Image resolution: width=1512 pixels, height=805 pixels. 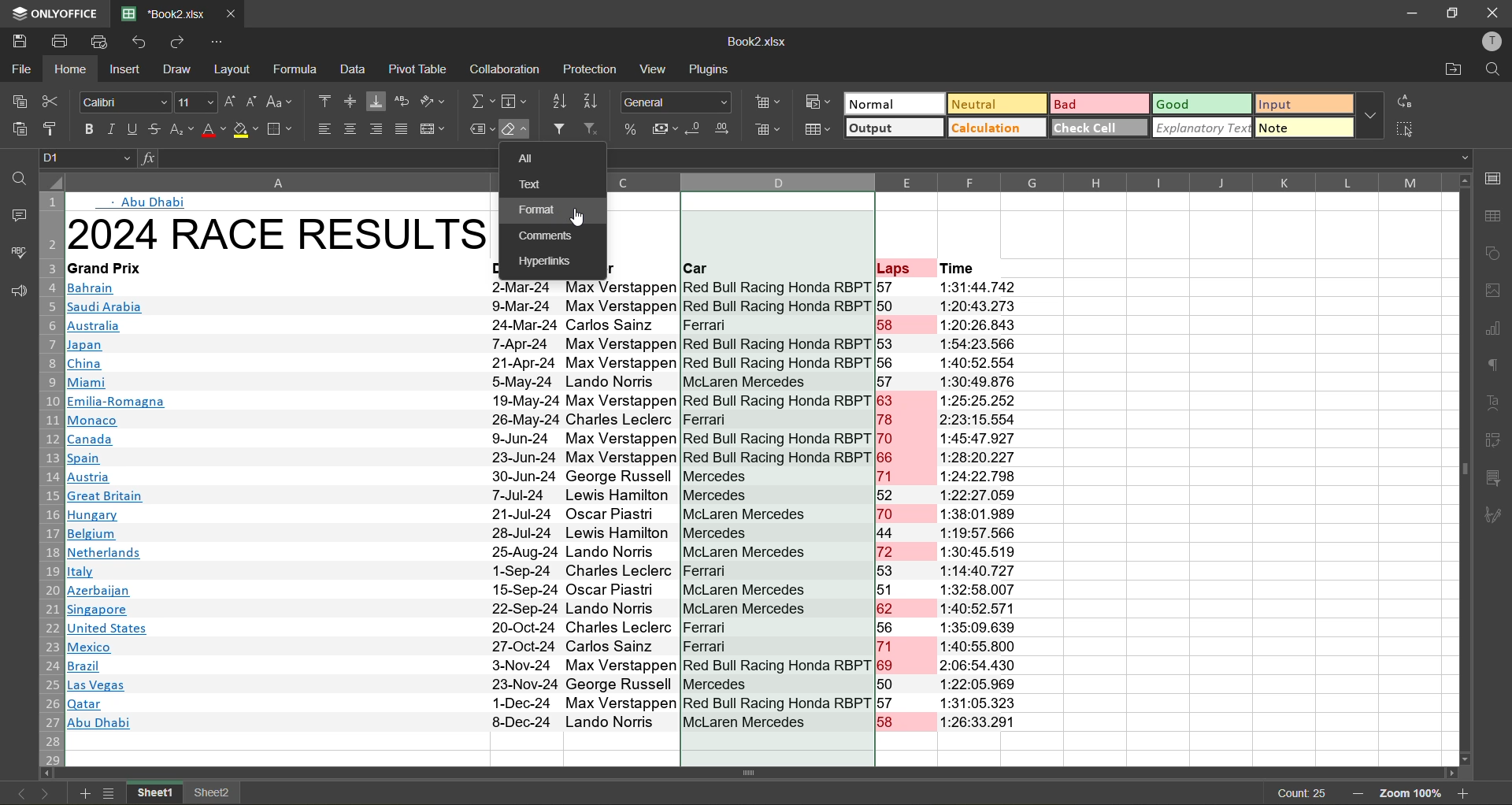 I want to click on orientation, so click(x=433, y=102).